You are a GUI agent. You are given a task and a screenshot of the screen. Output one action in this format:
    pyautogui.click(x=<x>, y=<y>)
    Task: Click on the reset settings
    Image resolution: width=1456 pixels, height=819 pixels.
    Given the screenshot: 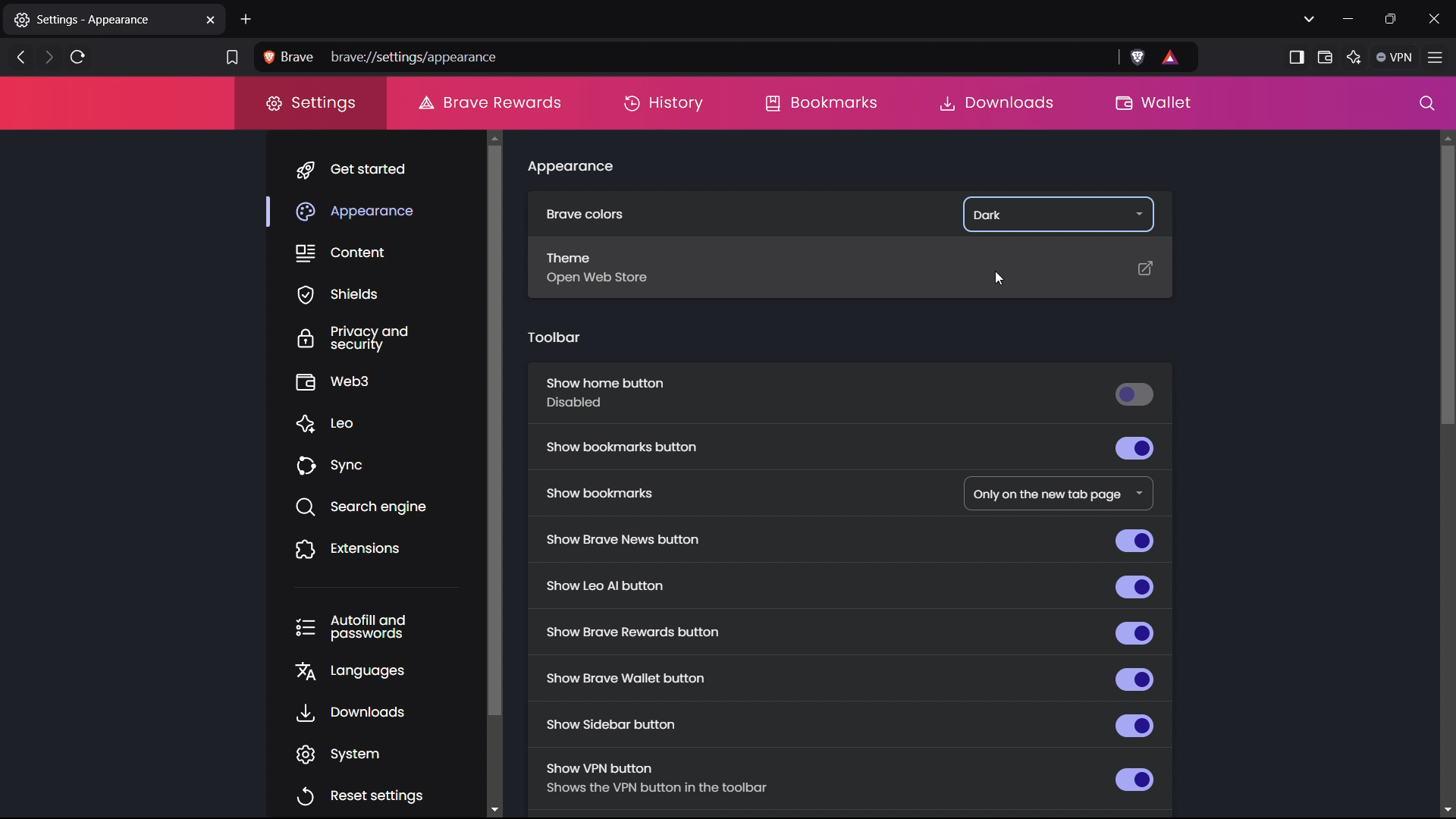 What is the action you would take?
    pyautogui.click(x=381, y=792)
    